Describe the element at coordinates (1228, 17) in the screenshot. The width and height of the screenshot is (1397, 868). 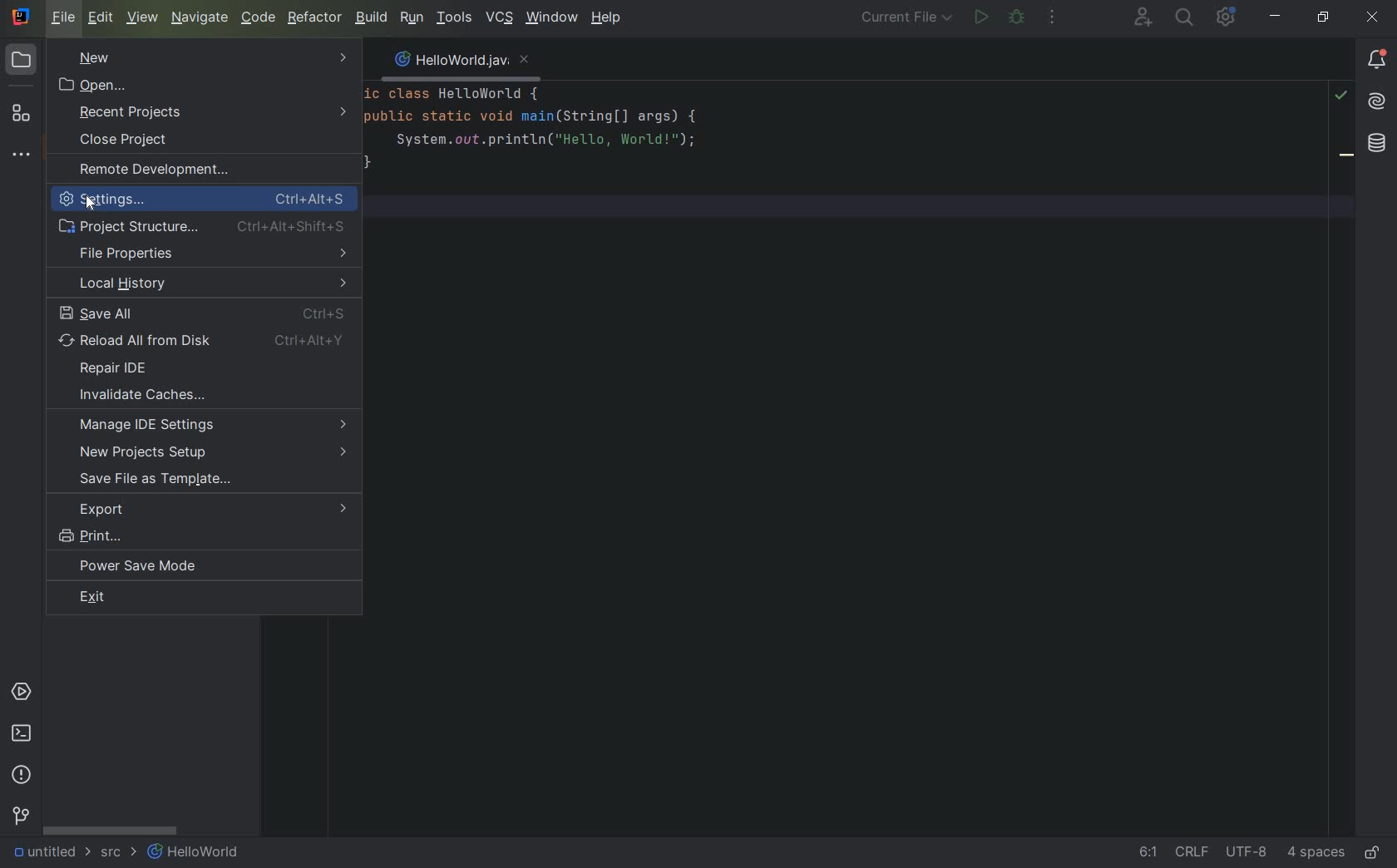
I see `IDE and Project Settings` at that location.